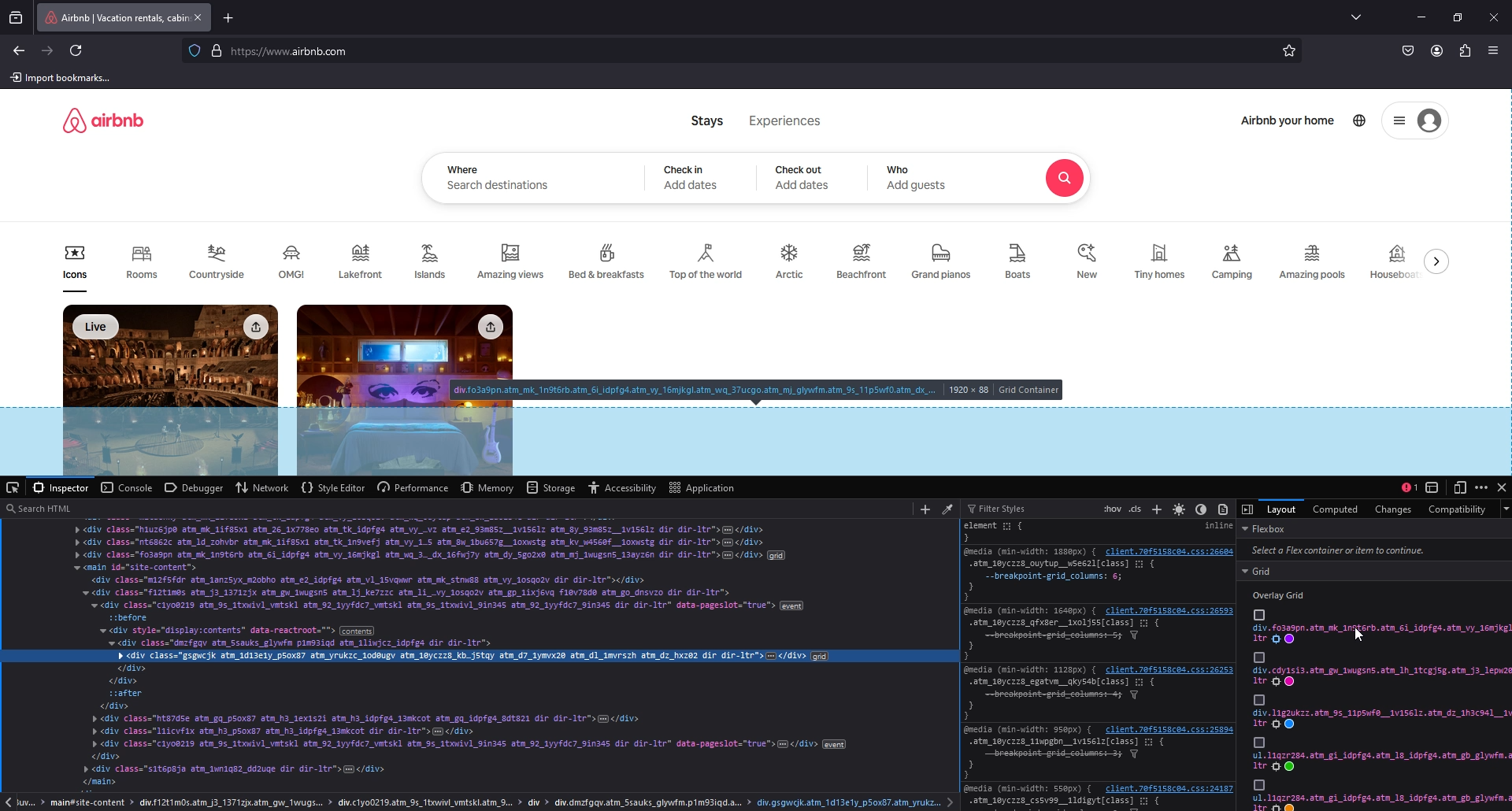 This screenshot has height=811, width=1512. What do you see at coordinates (1429, 121) in the screenshot?
I see `Account avatar ` at bounding box center [1429, 121].